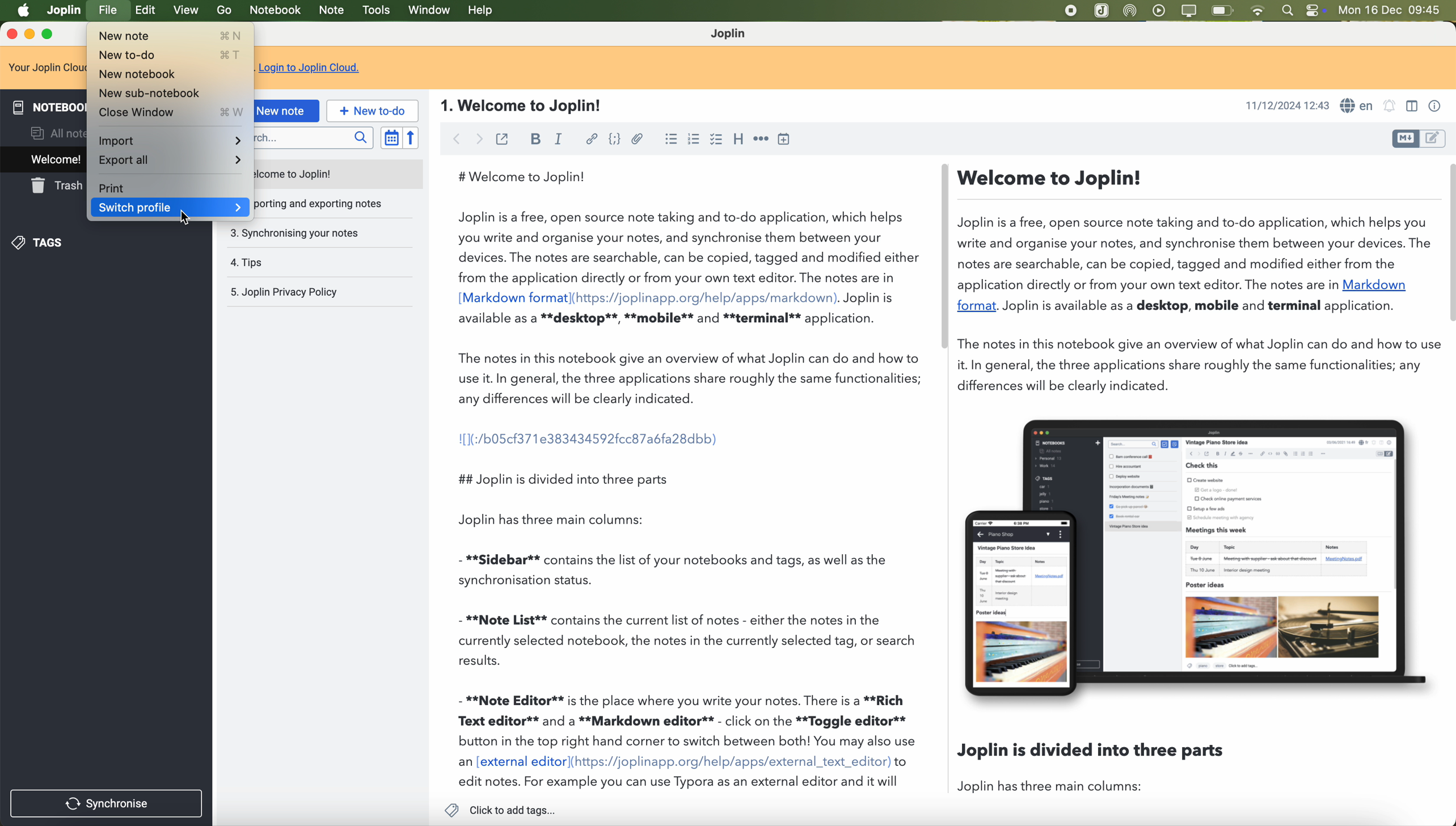  I want to click on Close Window, so click(170, 112).